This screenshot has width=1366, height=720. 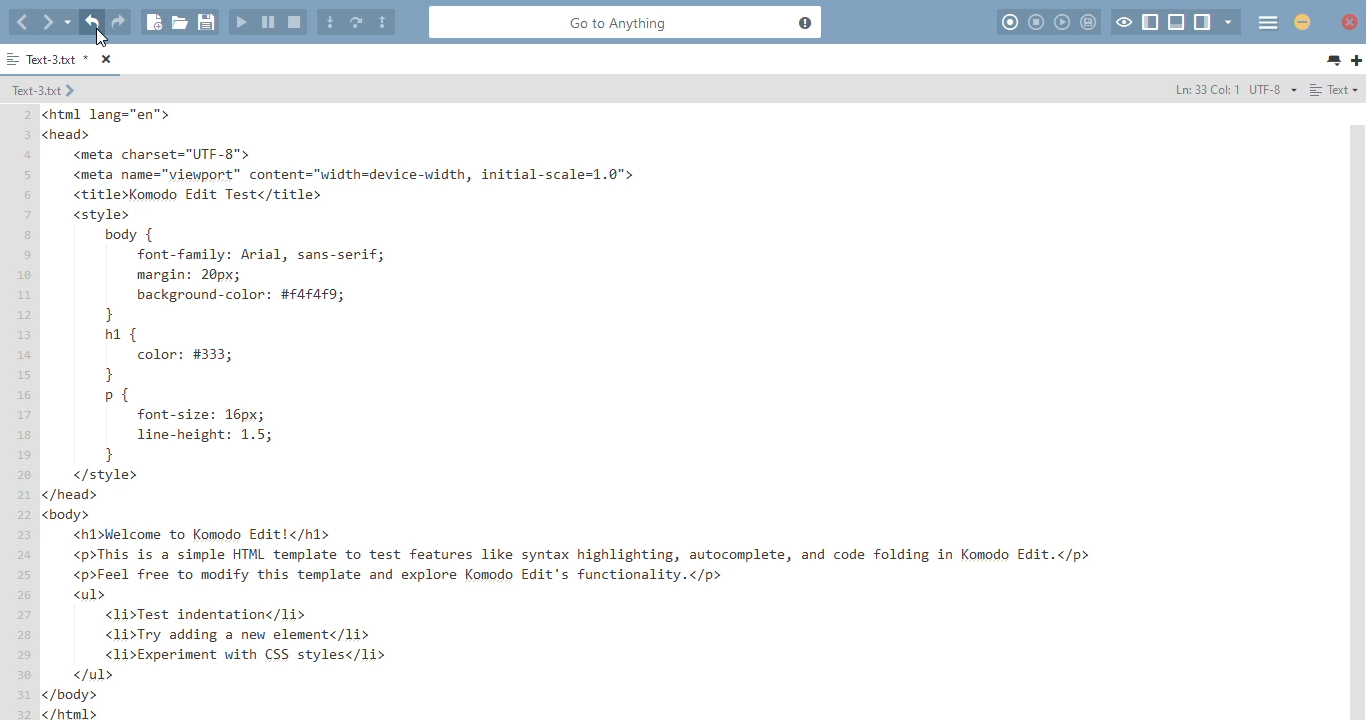 What do you see at coordinates (1268, 23) in the screenshot?
I see `menu` at bounding box center [1268, 23].